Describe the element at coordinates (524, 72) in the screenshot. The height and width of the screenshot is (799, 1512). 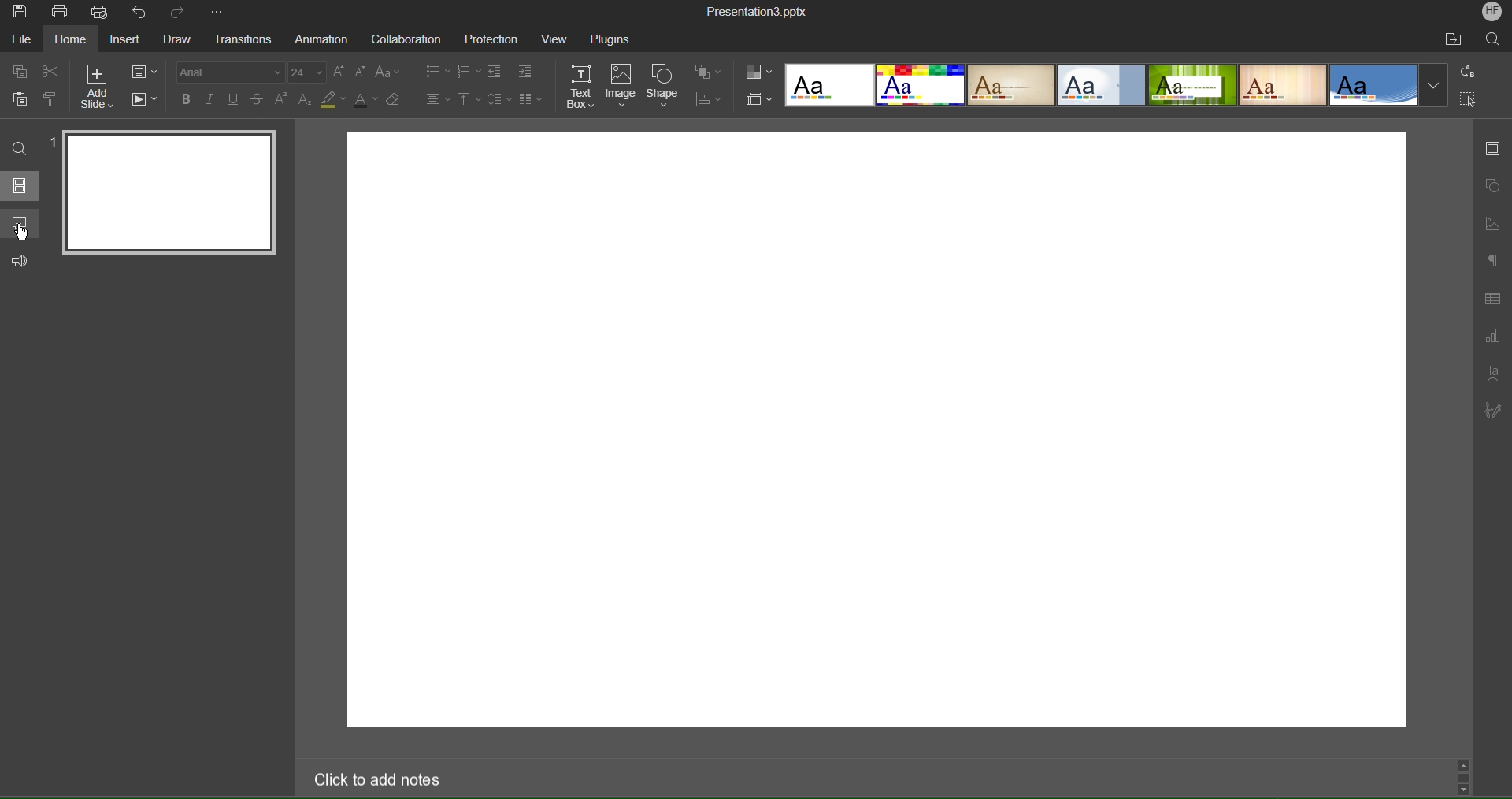
I see `Indent Options` at that location.